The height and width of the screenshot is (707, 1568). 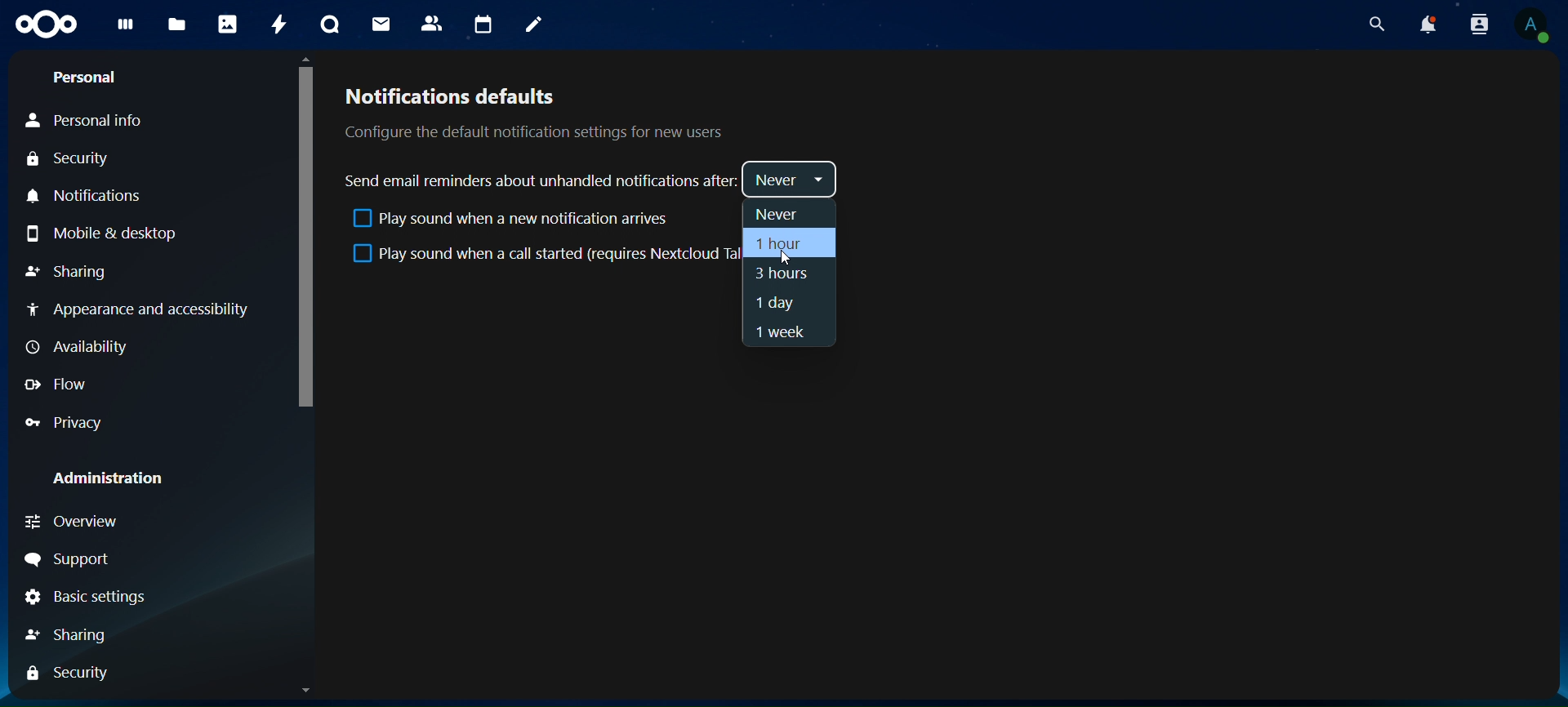 What do you see at coordinates (67, 159) in the screenshot?
I see `Security` at bounding box center [67, 159].